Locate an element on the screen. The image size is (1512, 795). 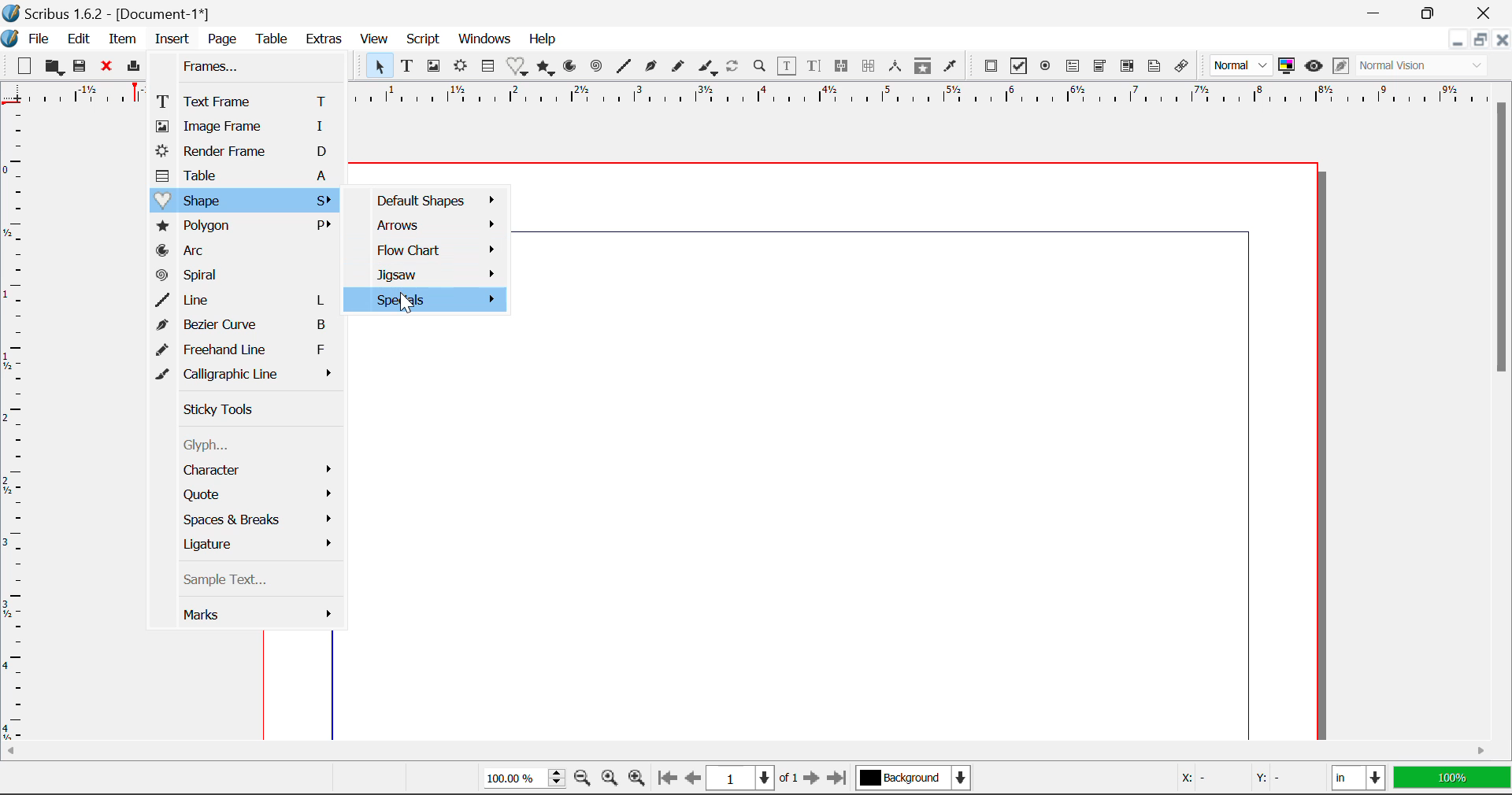
Flow Chart is located at coordinates (427, 250).